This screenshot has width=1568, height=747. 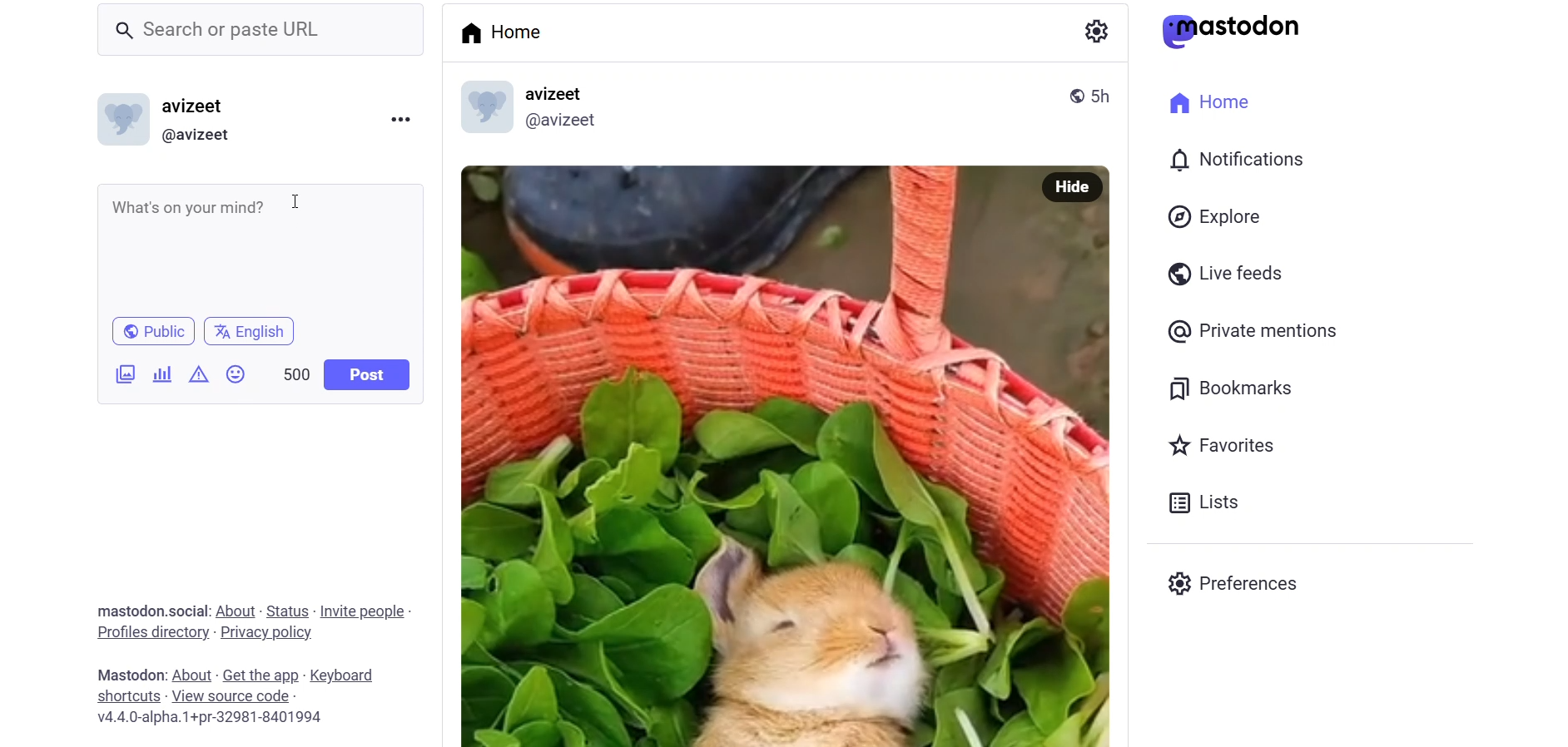 I want to click on display picture, so click(x=120, y=119).